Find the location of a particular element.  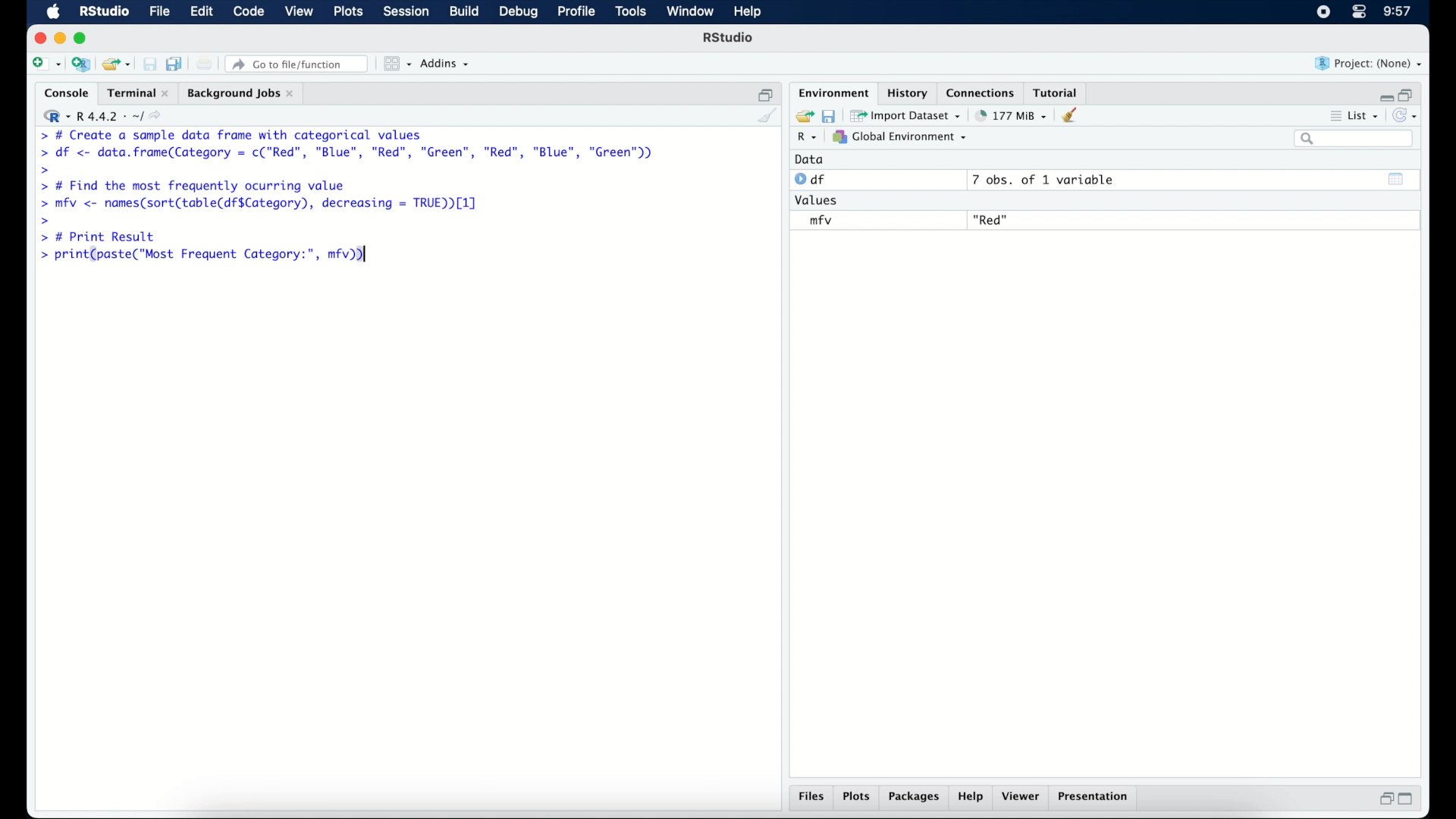

list is located at coordinates (1366, 115).